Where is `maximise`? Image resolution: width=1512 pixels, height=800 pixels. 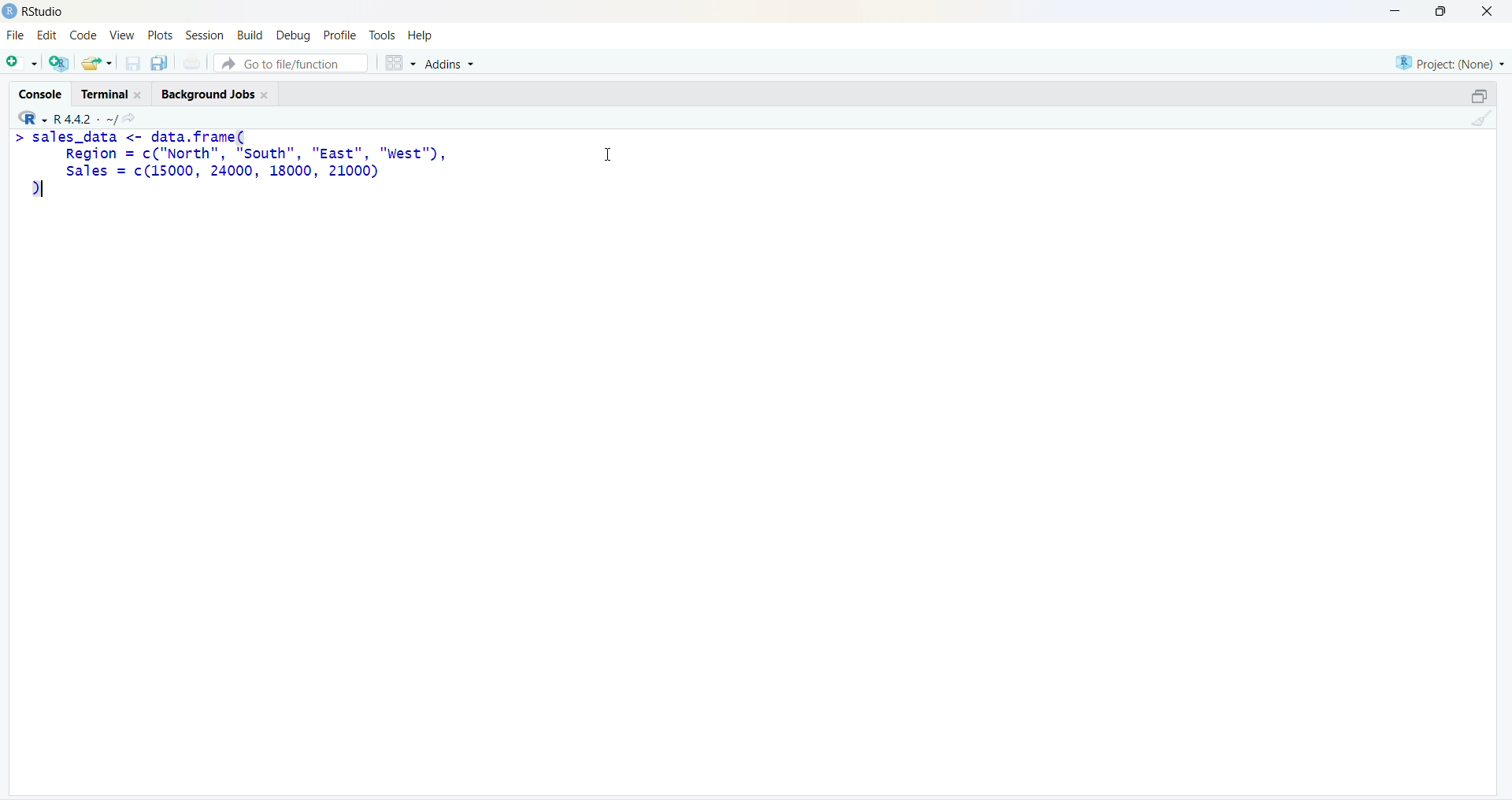
maximise is located at coordinates (1471, 94).